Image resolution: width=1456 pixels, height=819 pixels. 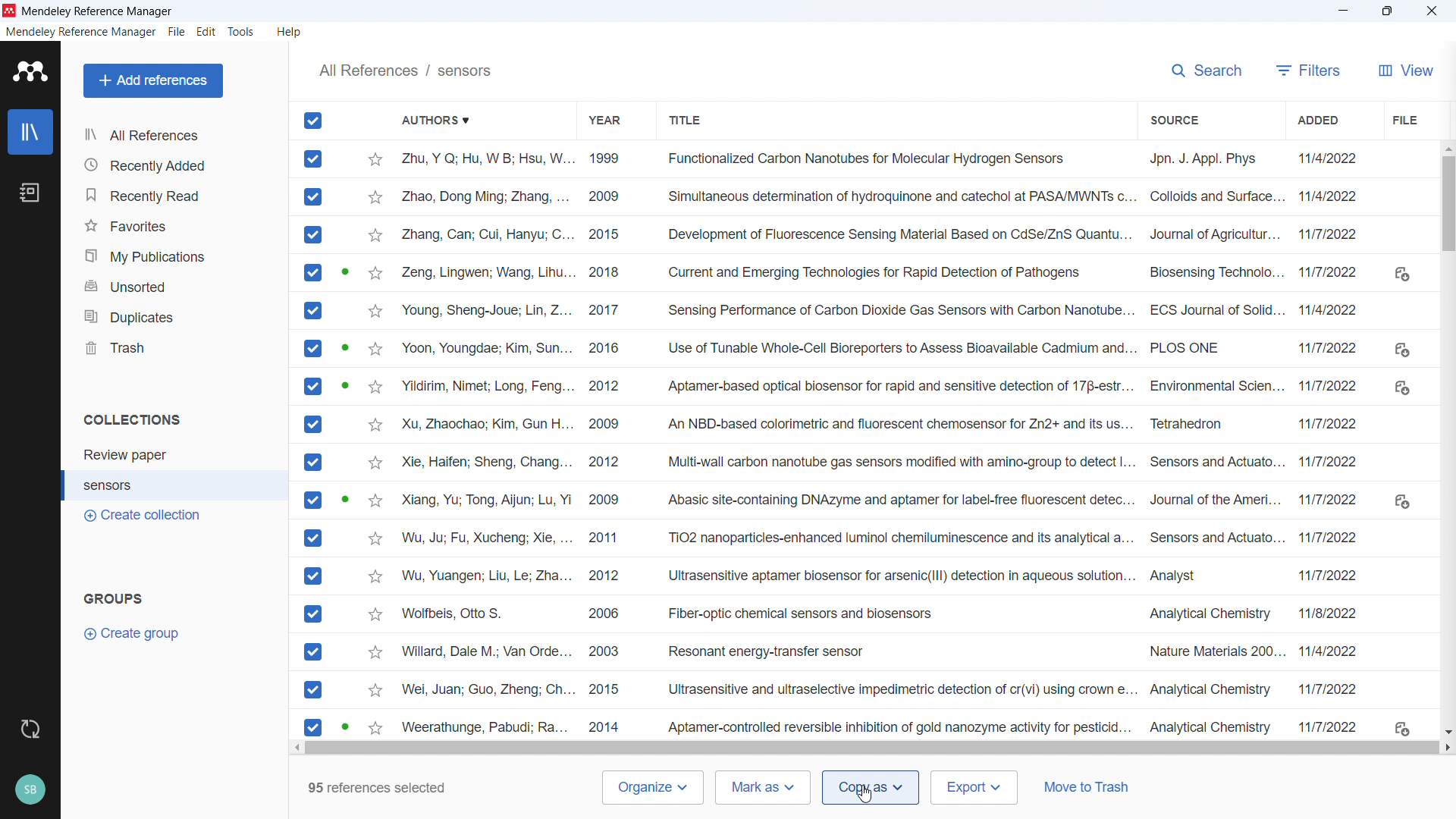 I want to click on Sort by authors , so click(x=435, y=121).